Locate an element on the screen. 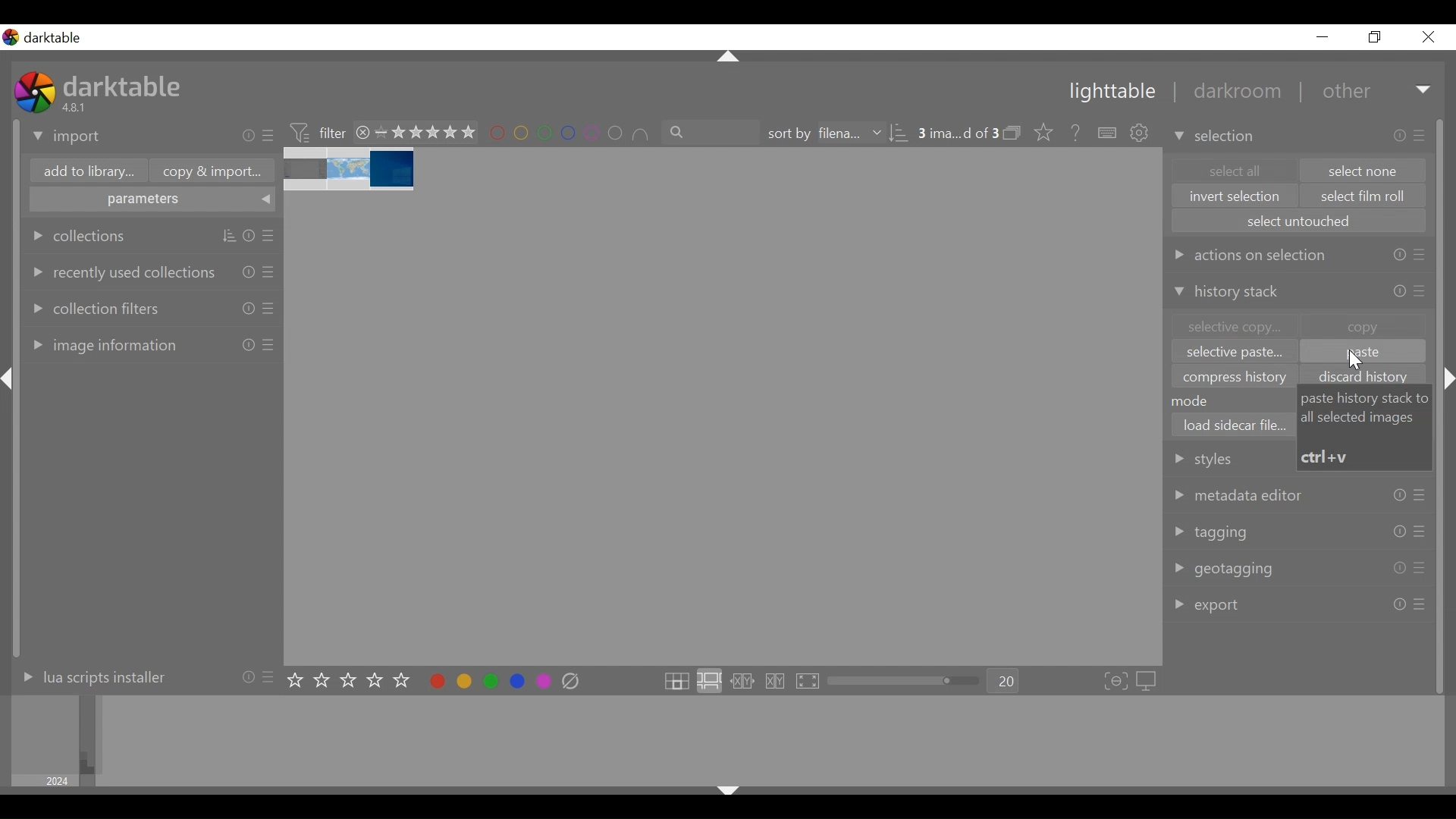 Image resolution: width=1456 pixels, height=819 pixels. presets is located at coordinates (268, 345).